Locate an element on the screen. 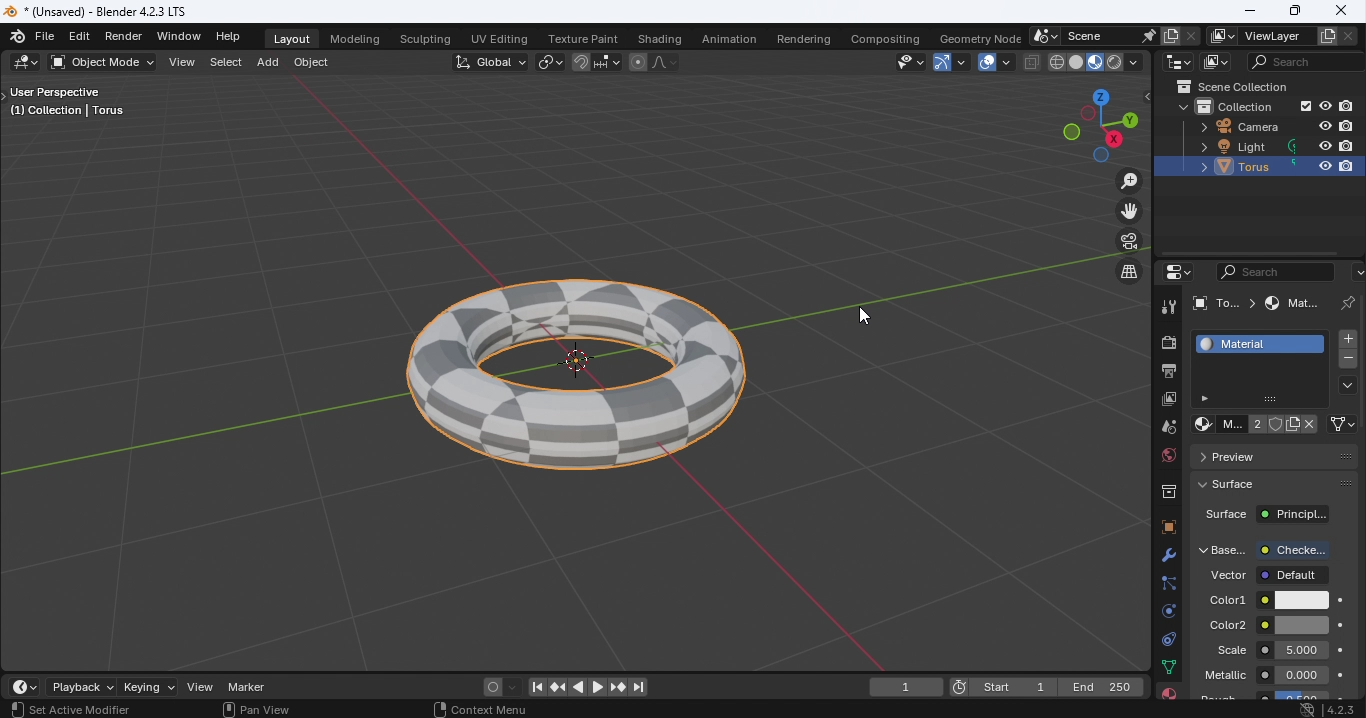 The height and width of the screenshot is (718, 1366). Pin is located at coordinates (1350, 303).